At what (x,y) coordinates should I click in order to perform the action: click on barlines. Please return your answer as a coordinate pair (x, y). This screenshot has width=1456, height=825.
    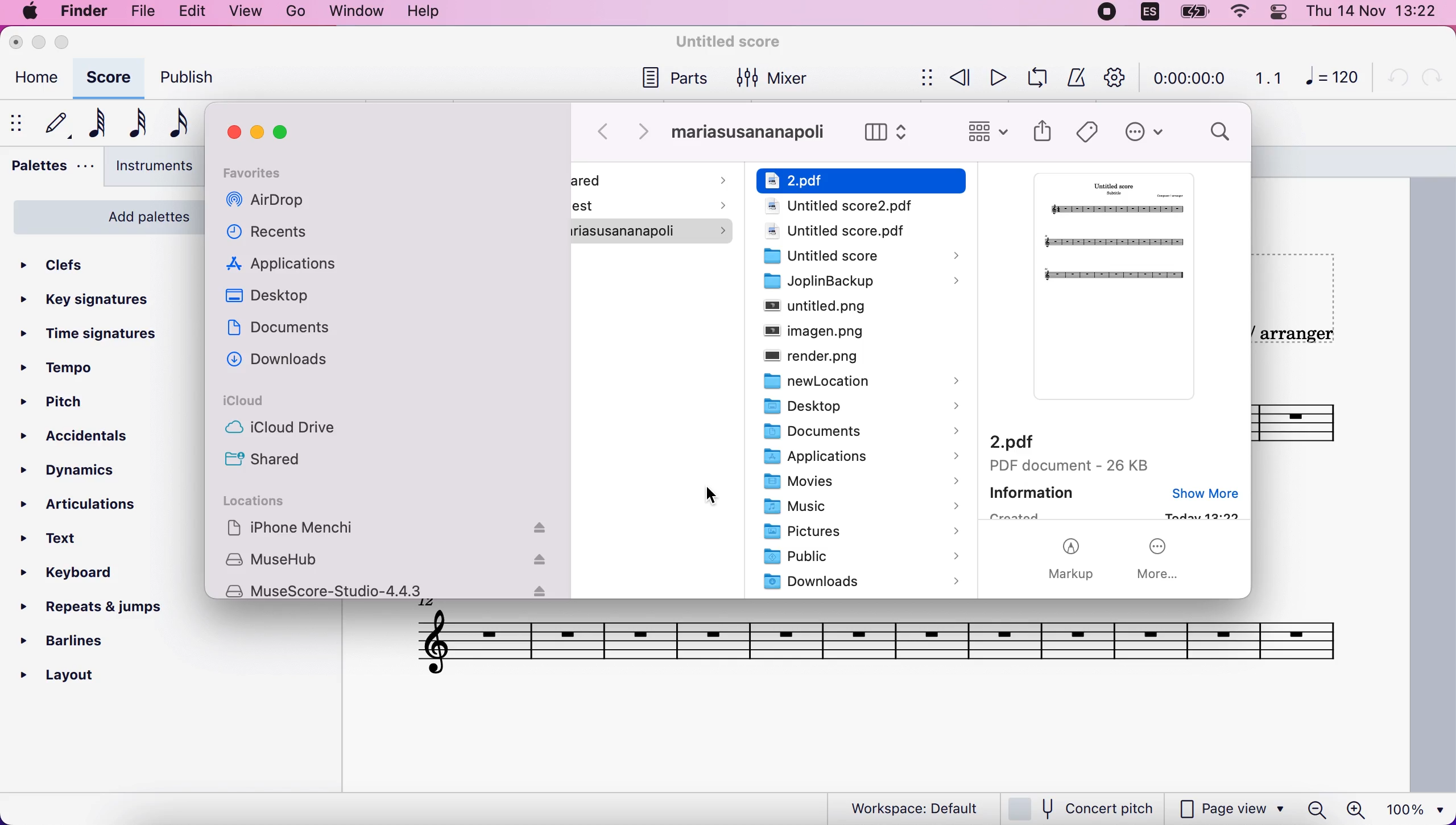
    Looking at the image, I should click on (78, 643).